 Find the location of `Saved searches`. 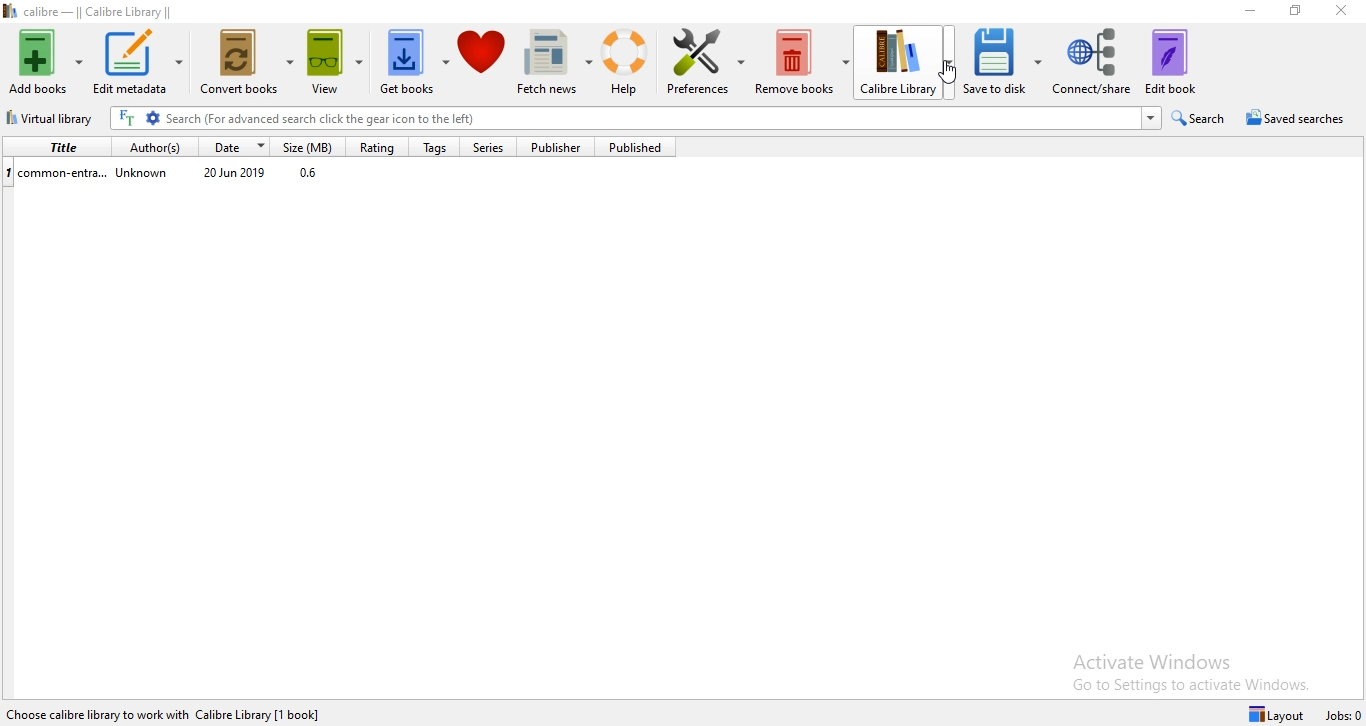

Saved searches is located at coordinates (1300, 119).